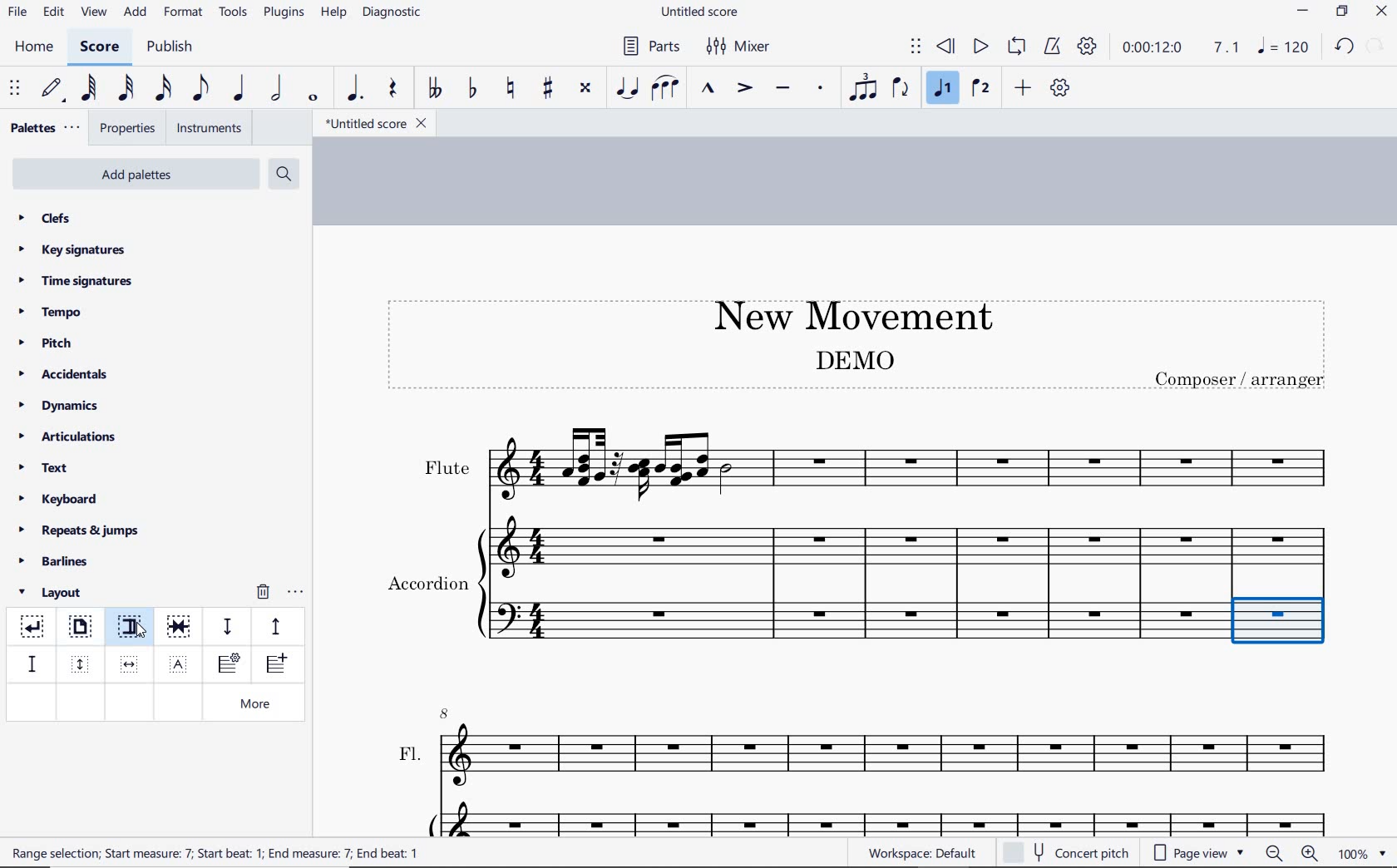 Image resolution: width=1397 pixels, height=868 pixels. Describe the element at coordinates (295, 589) in the screenshot. I see `options` at that location.